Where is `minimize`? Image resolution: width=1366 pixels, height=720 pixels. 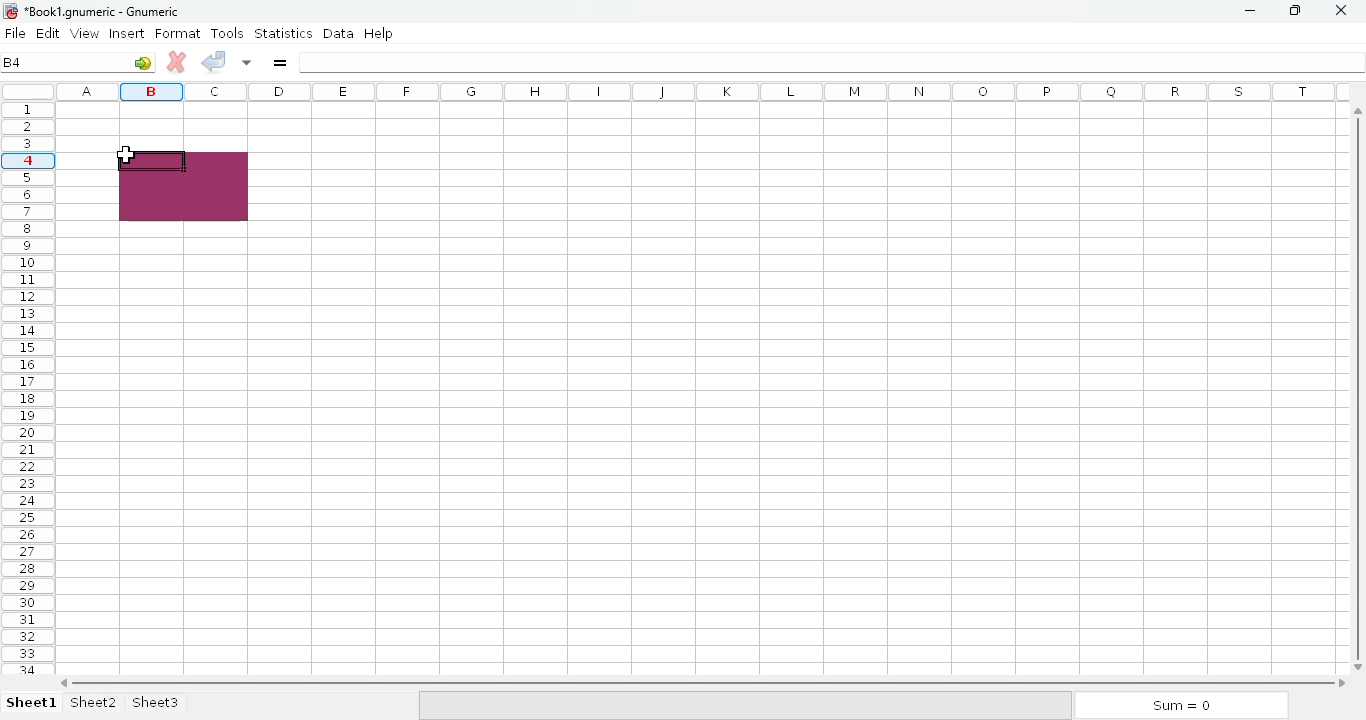 minimize is located at coordinates (1250, 11).